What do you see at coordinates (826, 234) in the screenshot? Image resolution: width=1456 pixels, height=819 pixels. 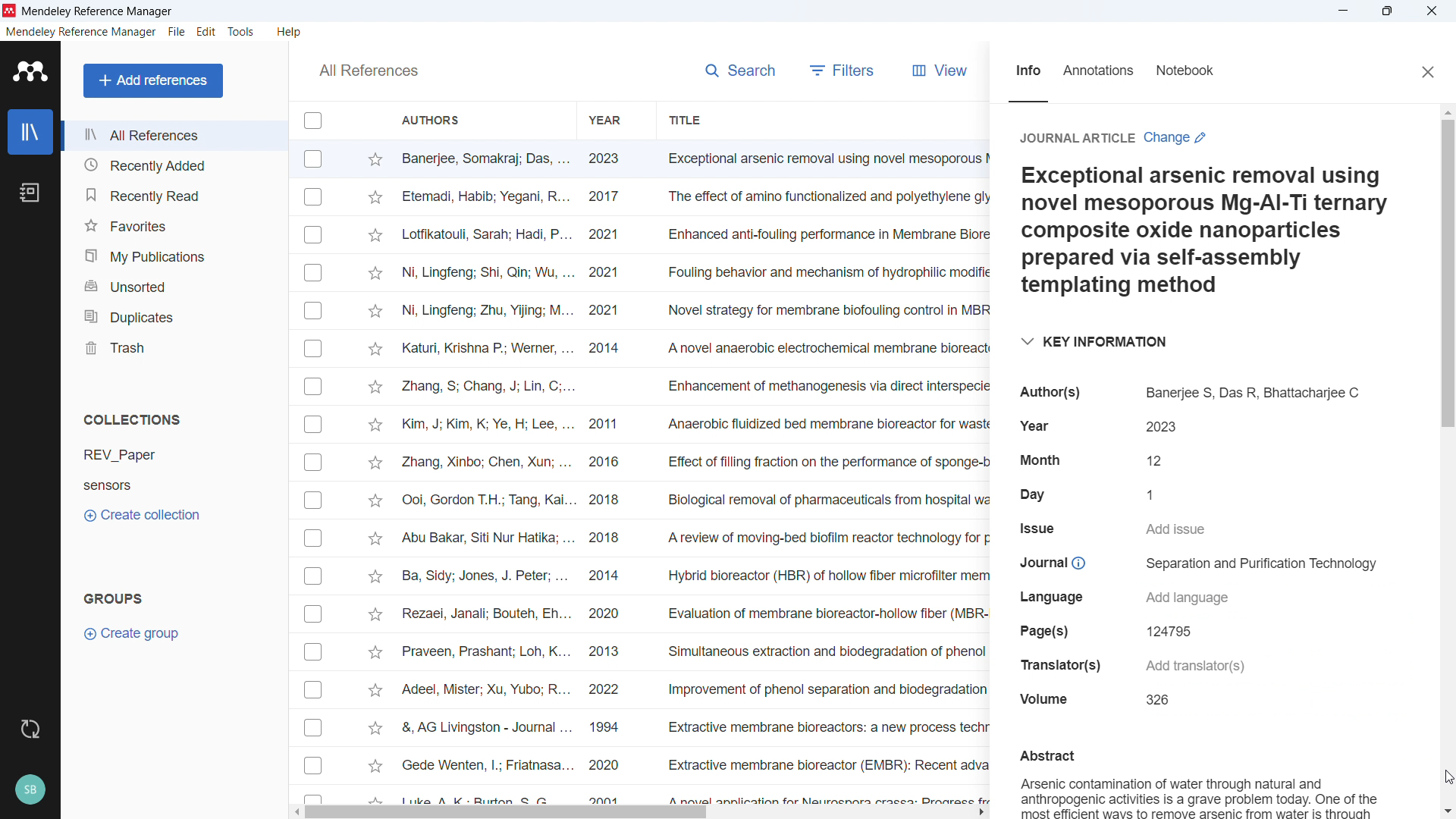 I see `enhanced anti fouling performance in membrane bioreactors using novel ` at bounding box center [826, 234].